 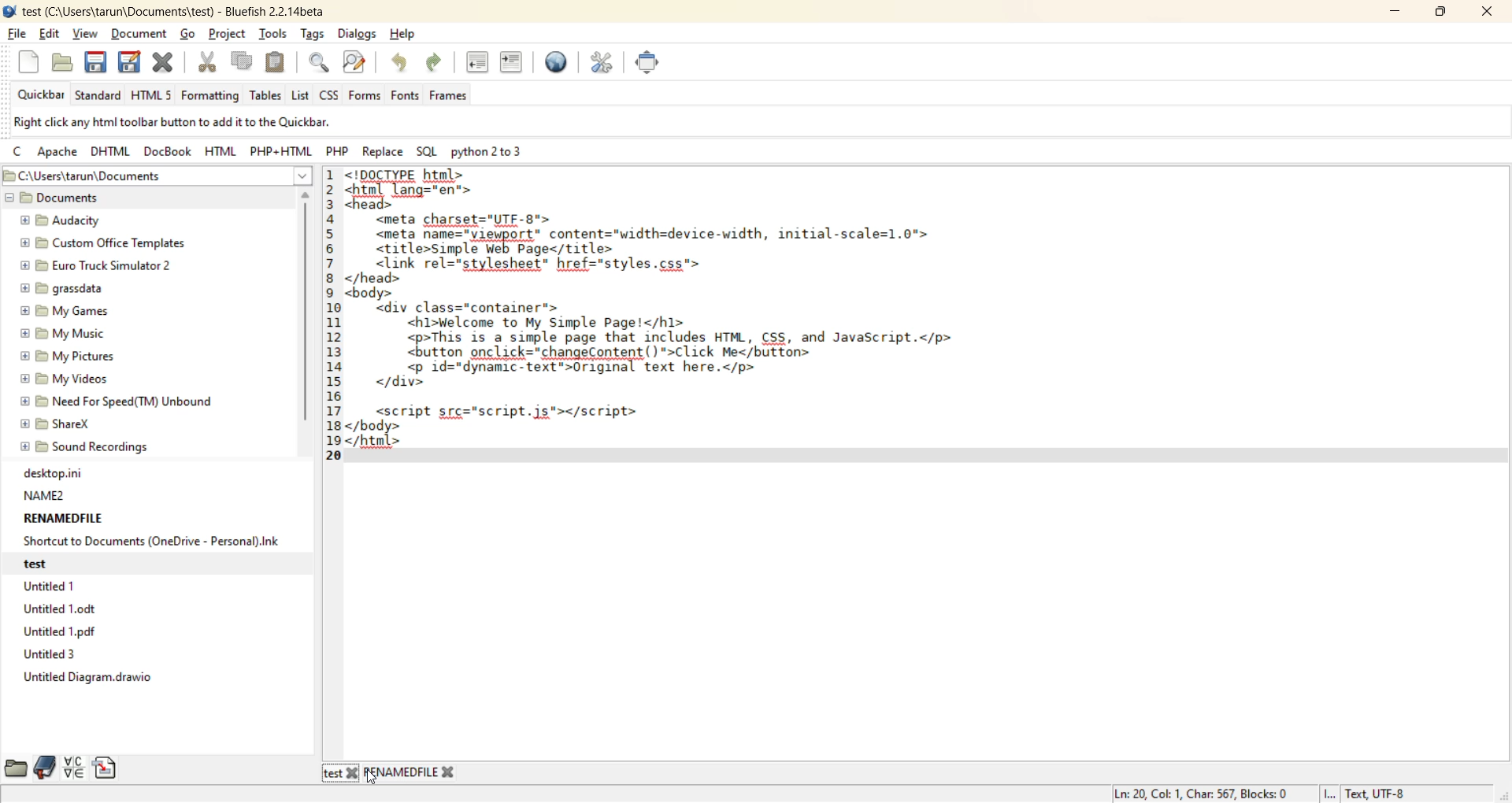 What do you see at coordinates (276, 61) in the screenshot?
I see `paste` at bounding box center [276, 61].